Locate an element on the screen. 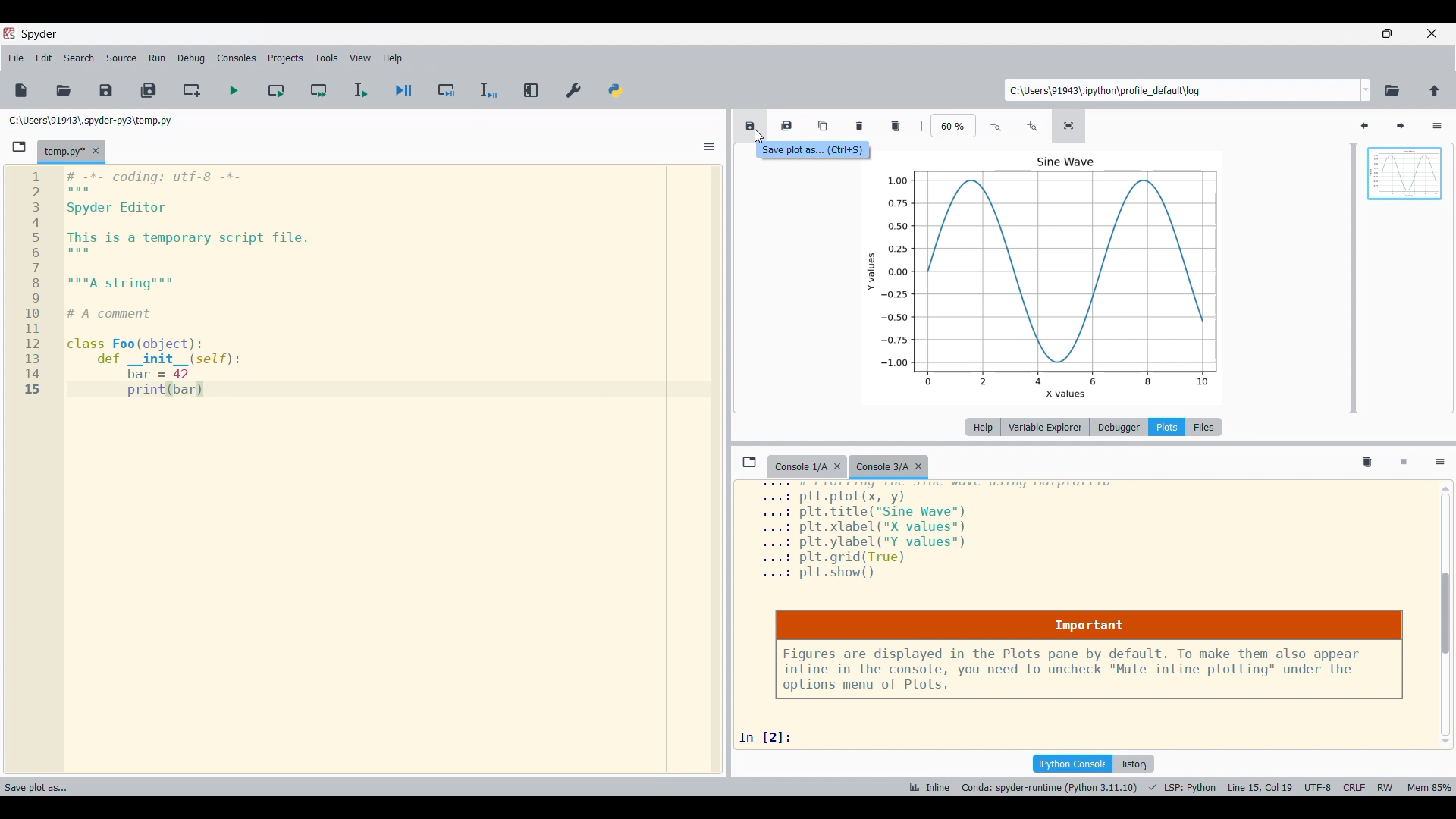 Image resolution: width=1456 pixels, height=819 pixels. File menu  is located at coordinates (16, 58).